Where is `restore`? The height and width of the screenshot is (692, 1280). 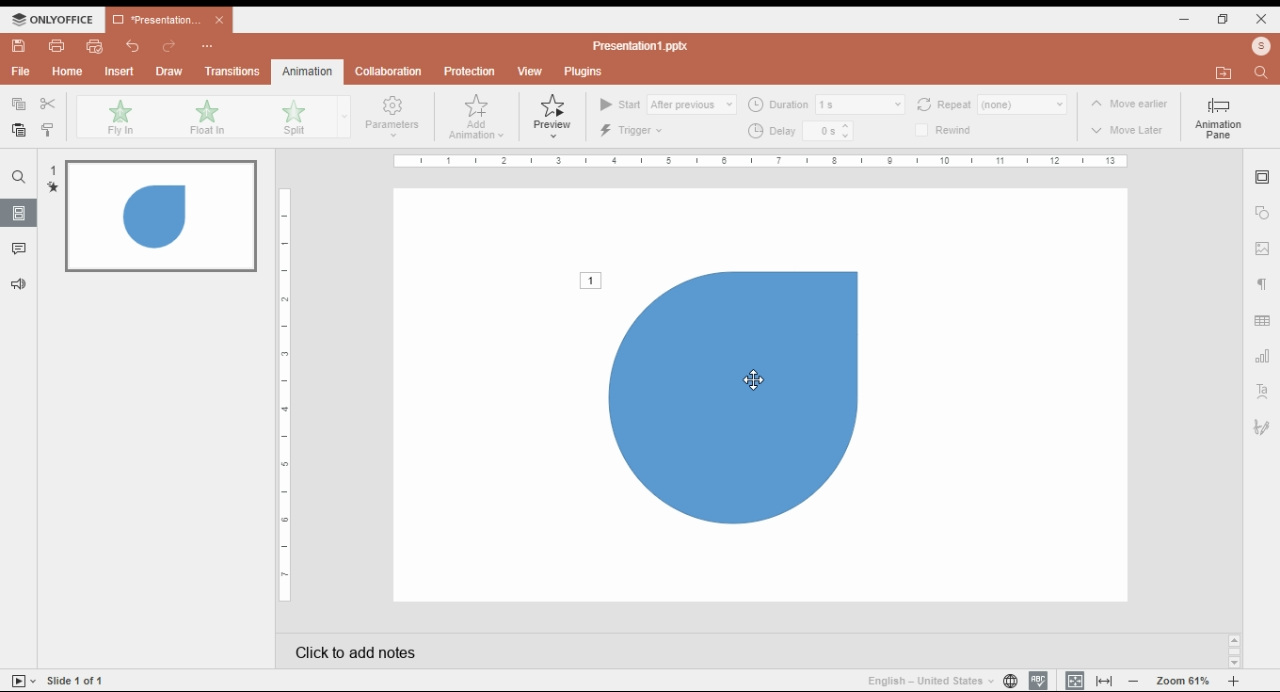 restore is located at coordinates (1224, 20).